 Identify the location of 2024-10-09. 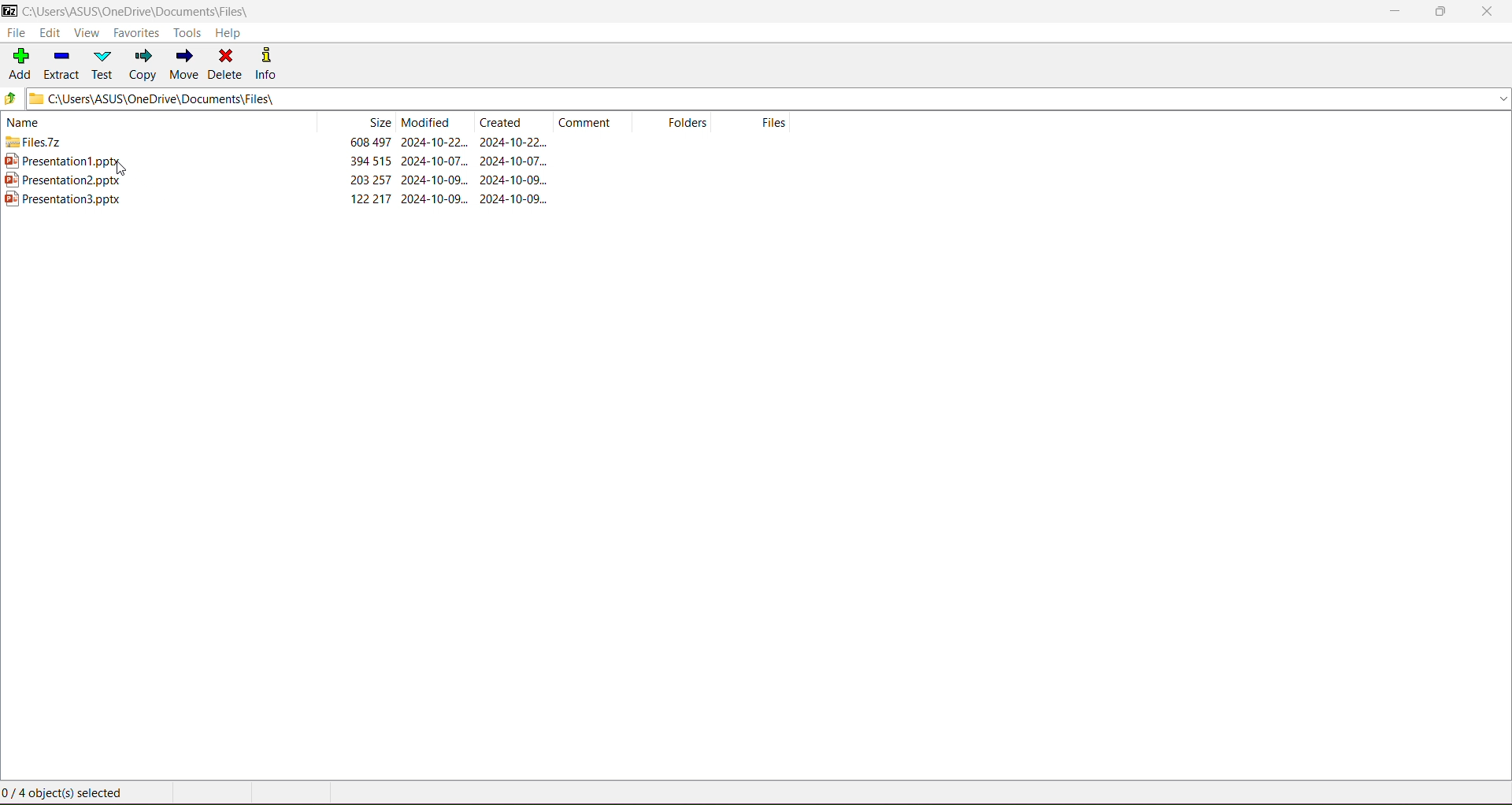
(434, 198).